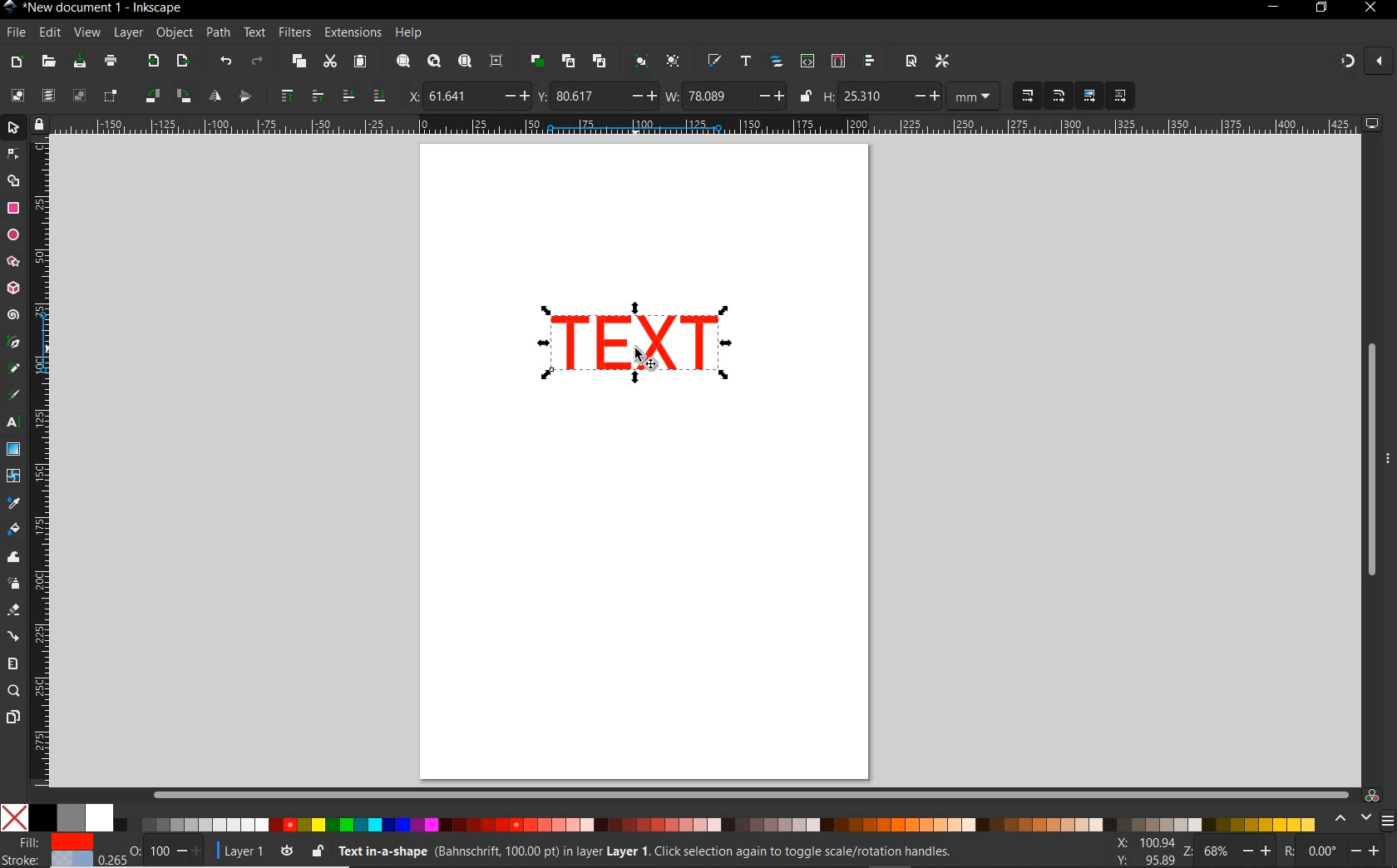 The image size is (1397, 868). Describe the element at coordinates (13, 636) in the screenshot. I see `connector tool` at that location.